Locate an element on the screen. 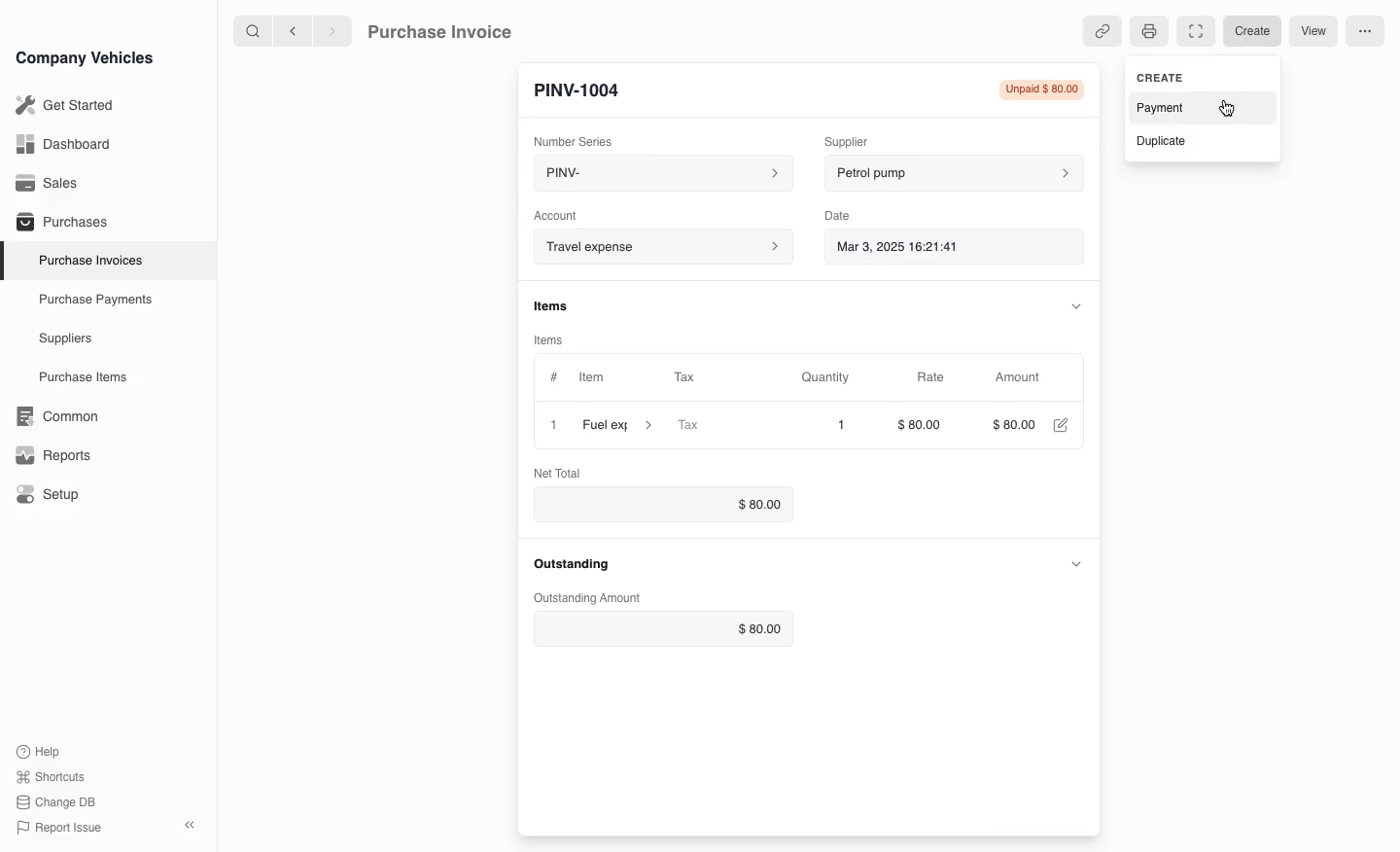 This screenshot has width=1400, height=852. $000 is located at coordinates (1017, 426).